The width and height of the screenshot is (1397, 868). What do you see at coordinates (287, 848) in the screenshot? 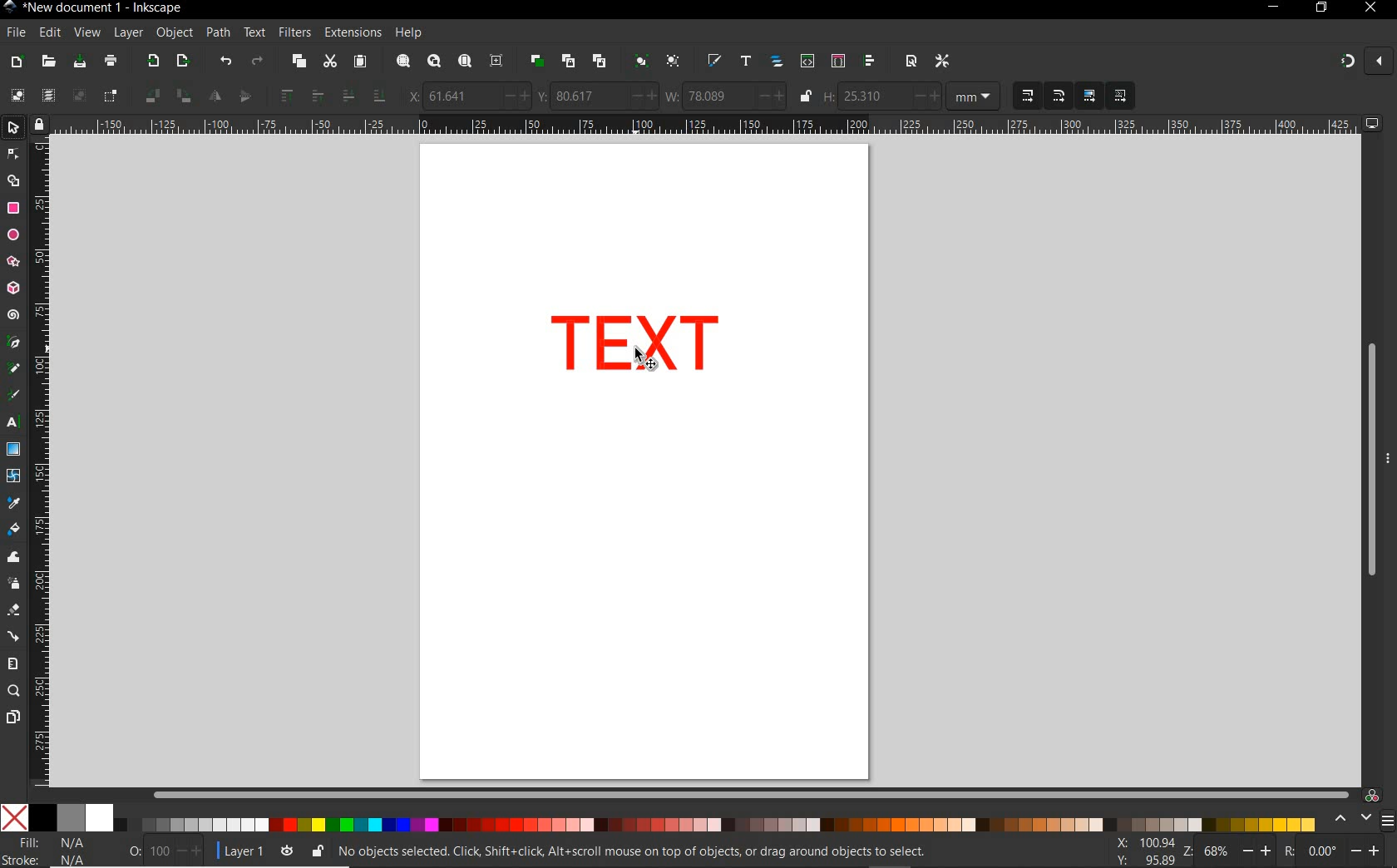
I see `toggle current layer visibility` at bounding box center [287, 848].